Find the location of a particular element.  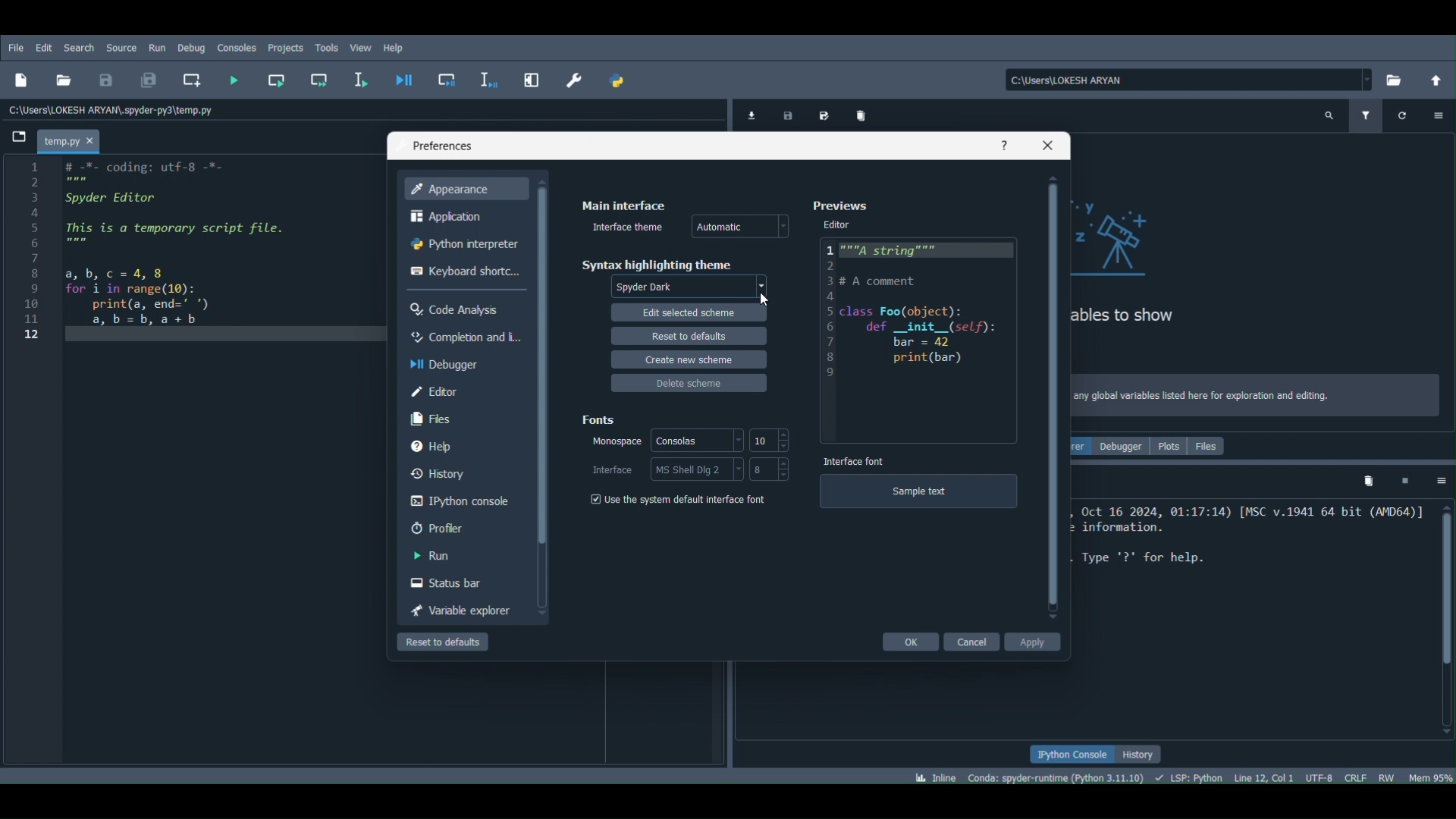

Run is located at coordinates (158, 47).